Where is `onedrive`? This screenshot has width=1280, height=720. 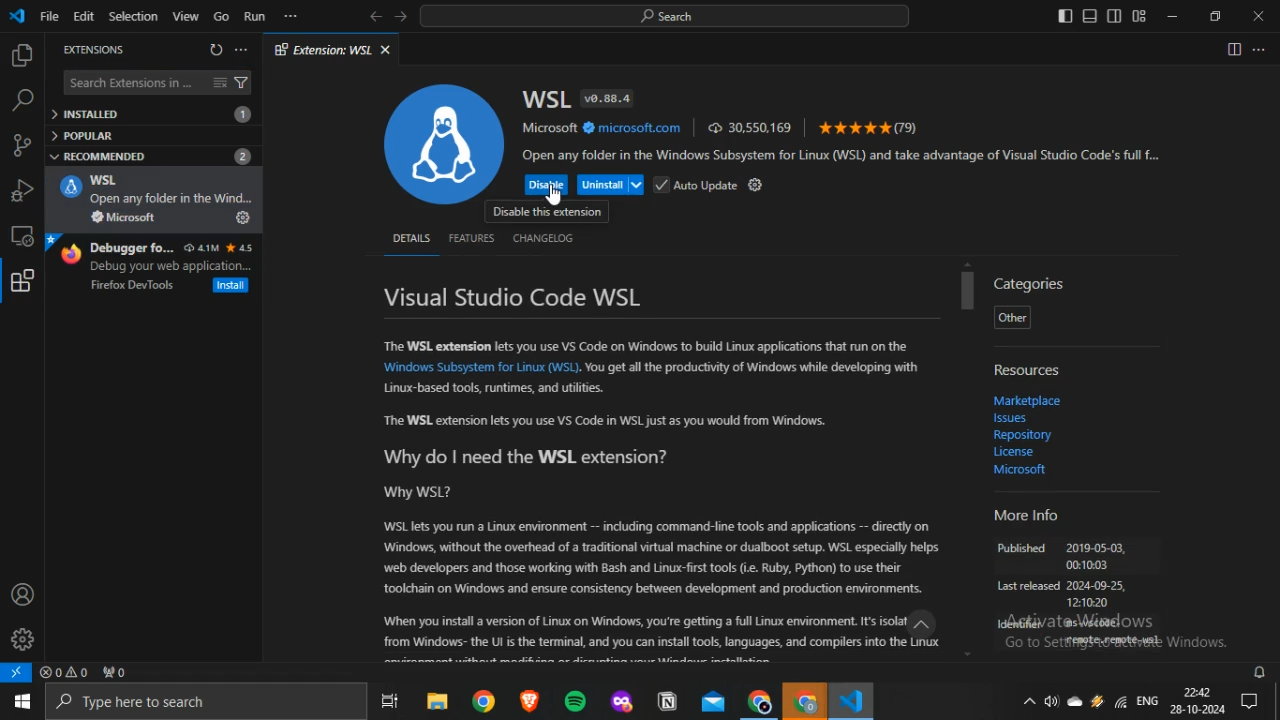 onedrive is located at coordinates (1075, 702).